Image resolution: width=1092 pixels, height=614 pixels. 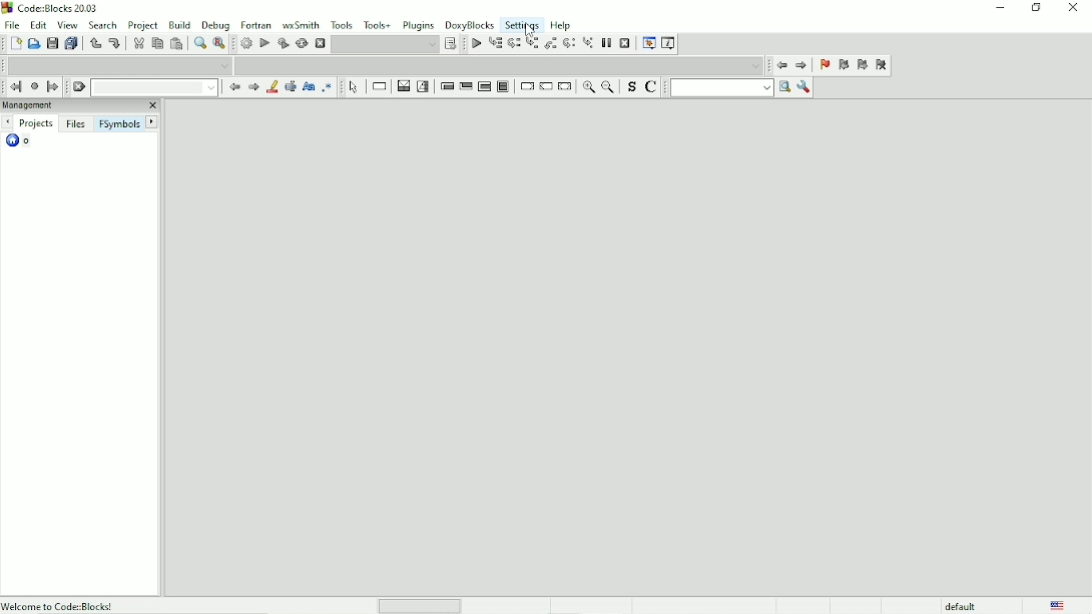 I want to click on Debugging windows, so click(x=648, y=43).